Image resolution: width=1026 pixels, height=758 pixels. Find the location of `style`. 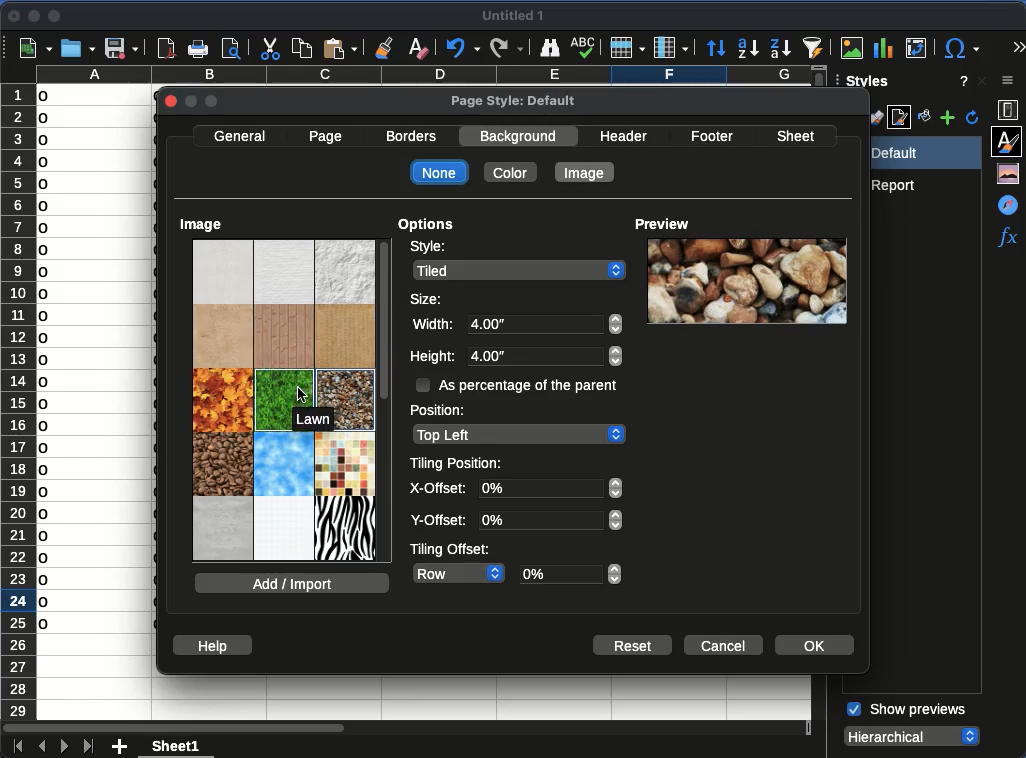

style is located at coordinates (427, 249).